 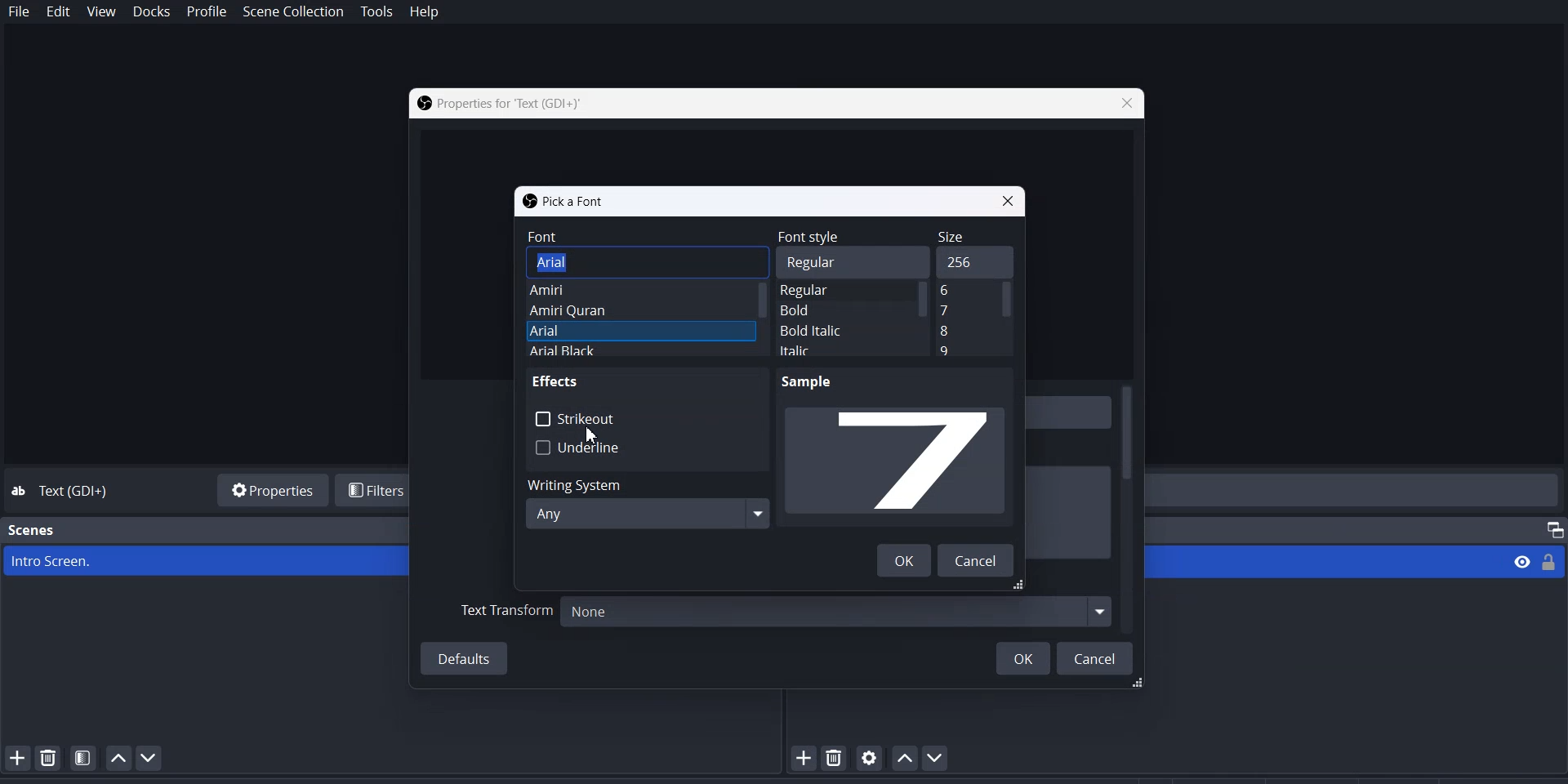 I want to click on Cancel, so click(x=1097, y=657).